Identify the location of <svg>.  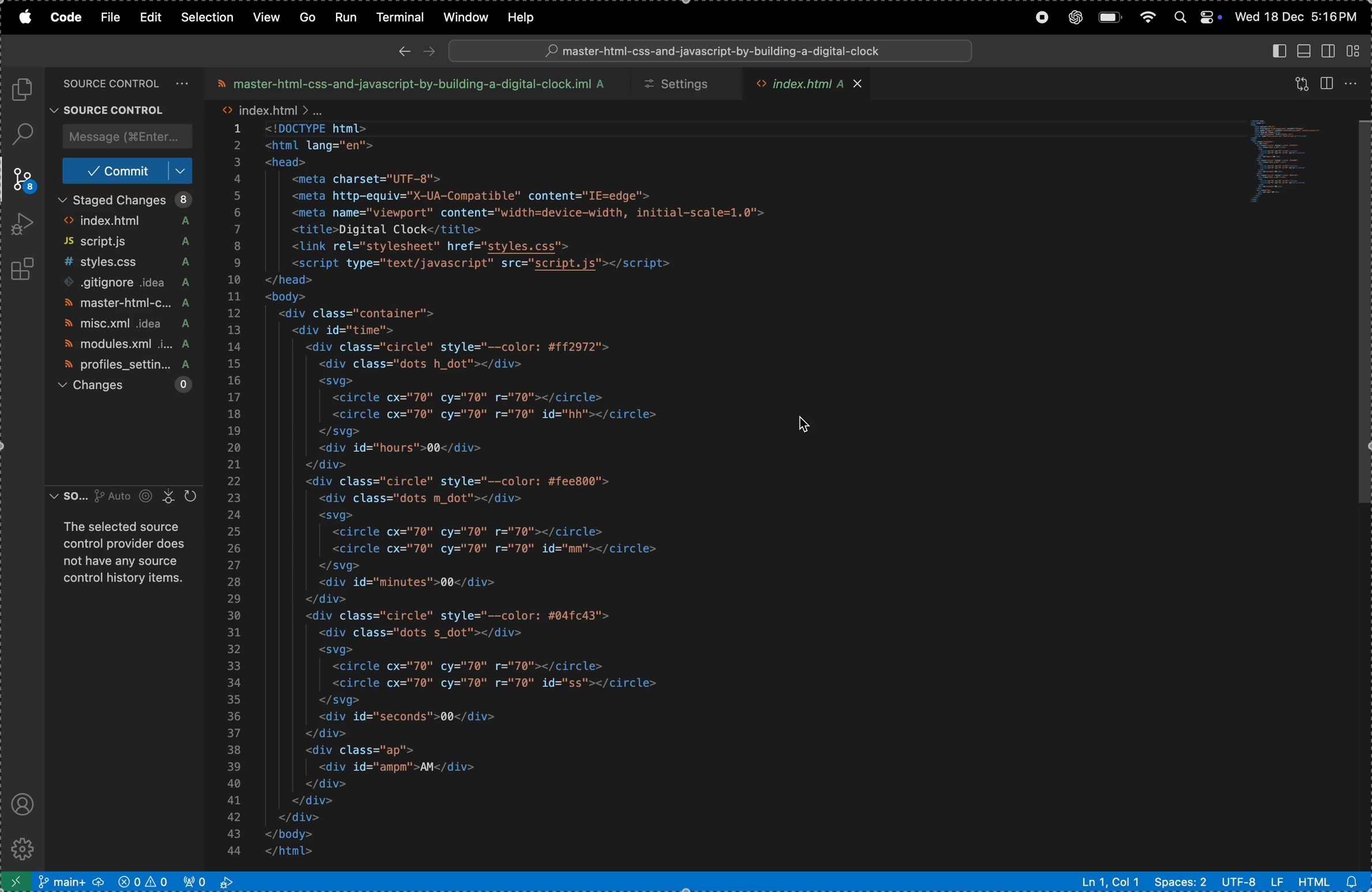
(342, 515).